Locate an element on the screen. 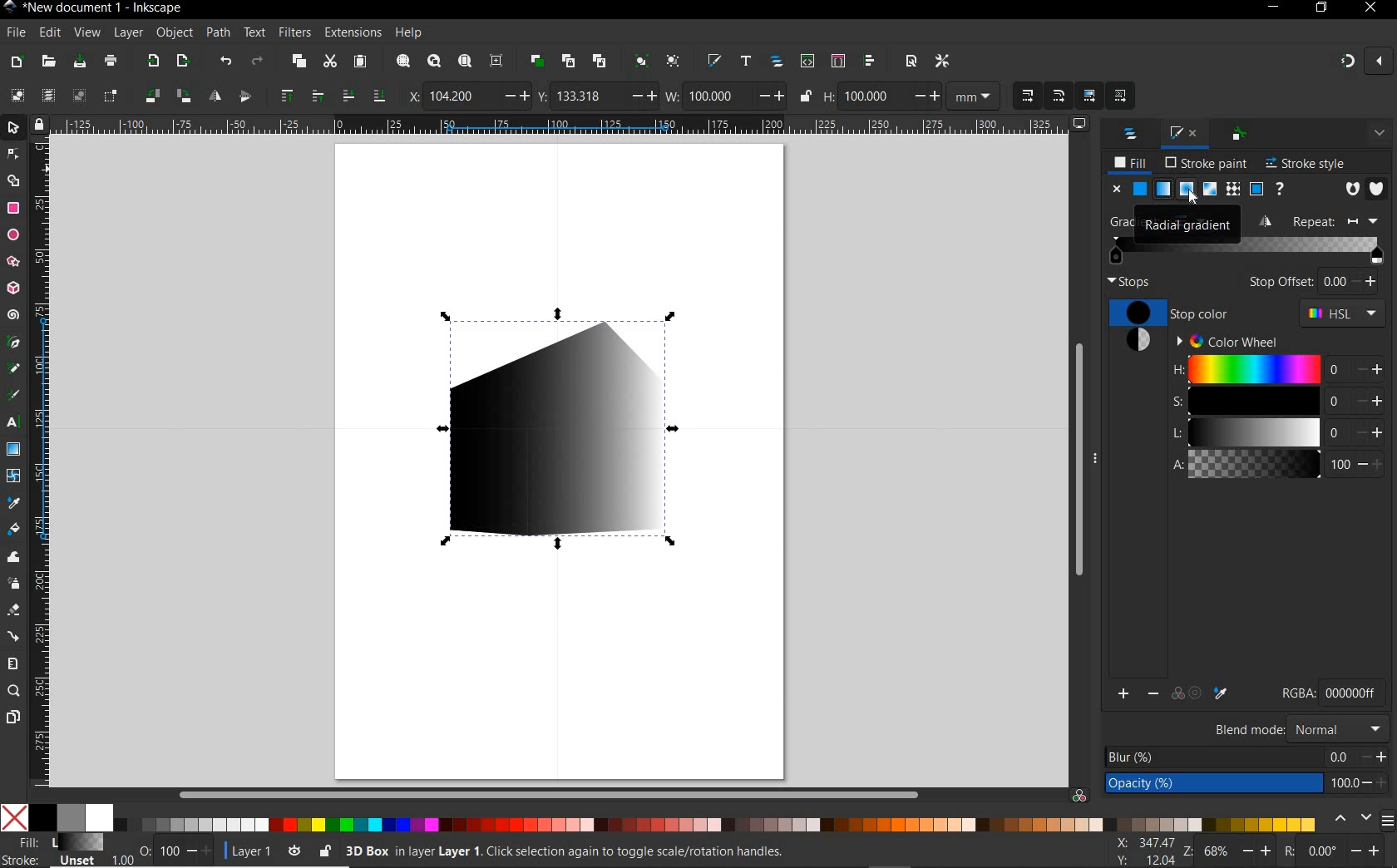 This screenshot has width=1397, height=868. ROTATION is located at coordinates (1287, 851).